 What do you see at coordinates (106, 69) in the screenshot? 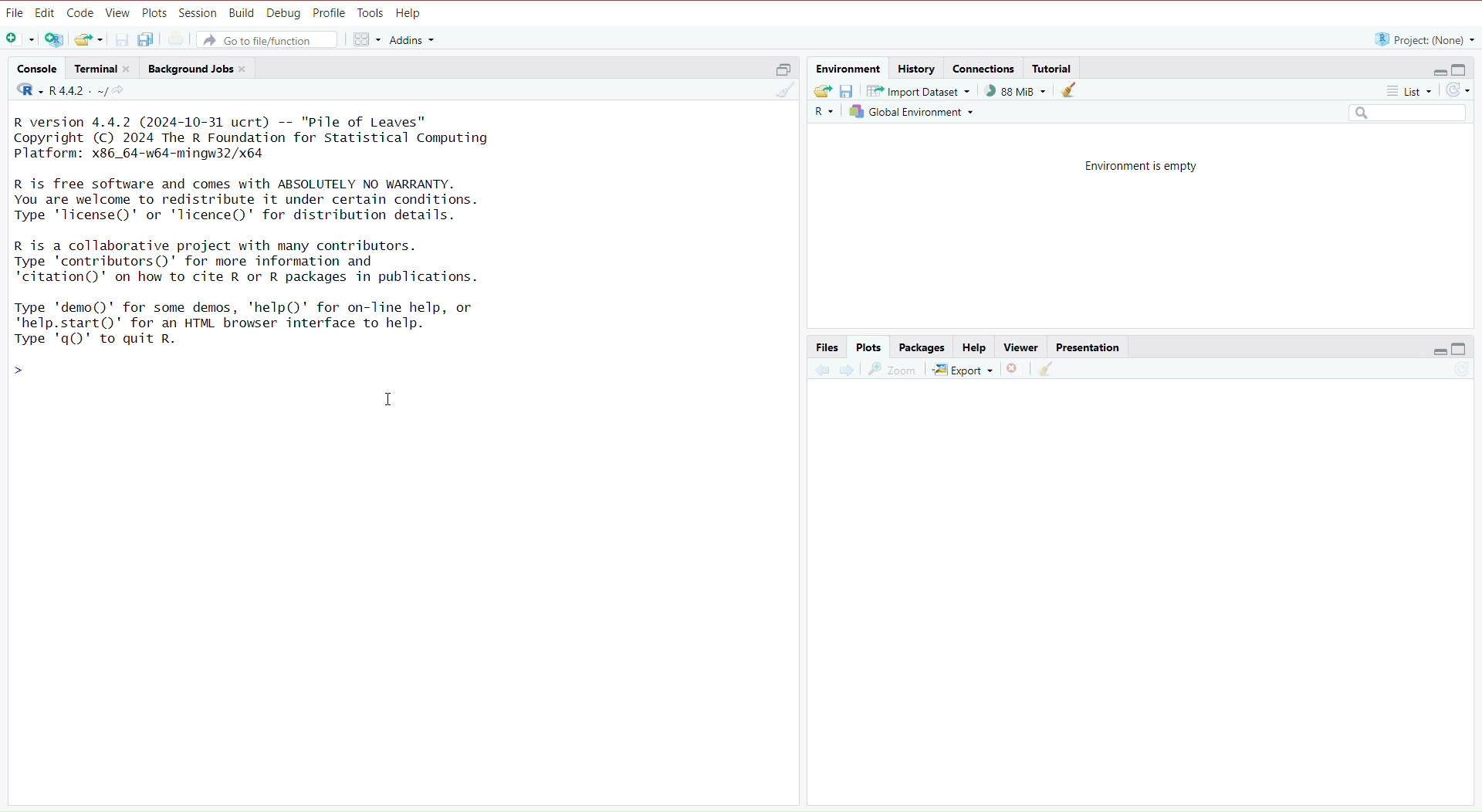
I see `terminal` at bounding box center [106, 69].